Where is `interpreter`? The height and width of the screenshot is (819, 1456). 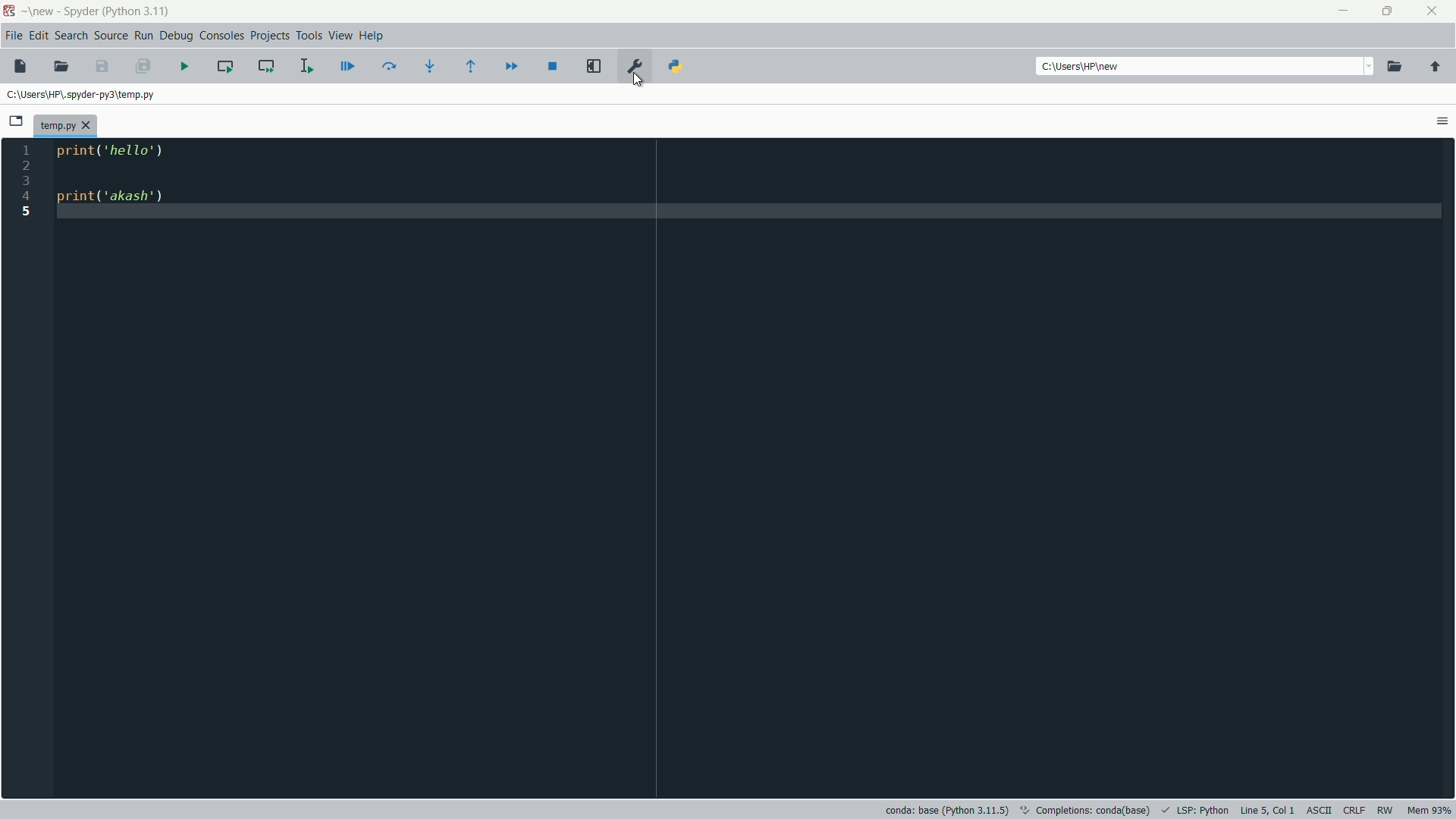
interpreter is located at coordinates (946, 810).